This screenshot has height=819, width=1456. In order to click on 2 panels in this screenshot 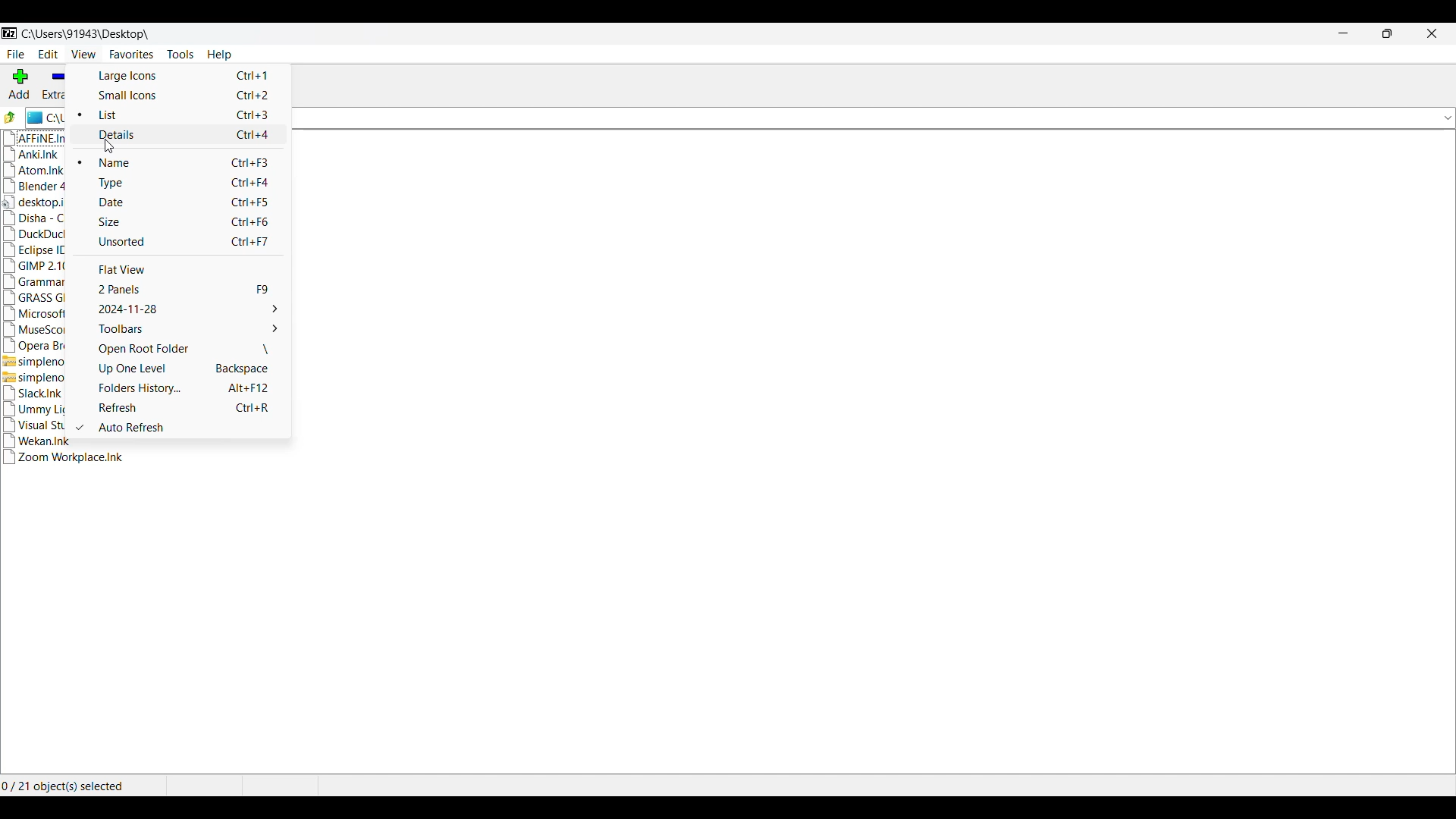, I will do `click(189, 290)`.